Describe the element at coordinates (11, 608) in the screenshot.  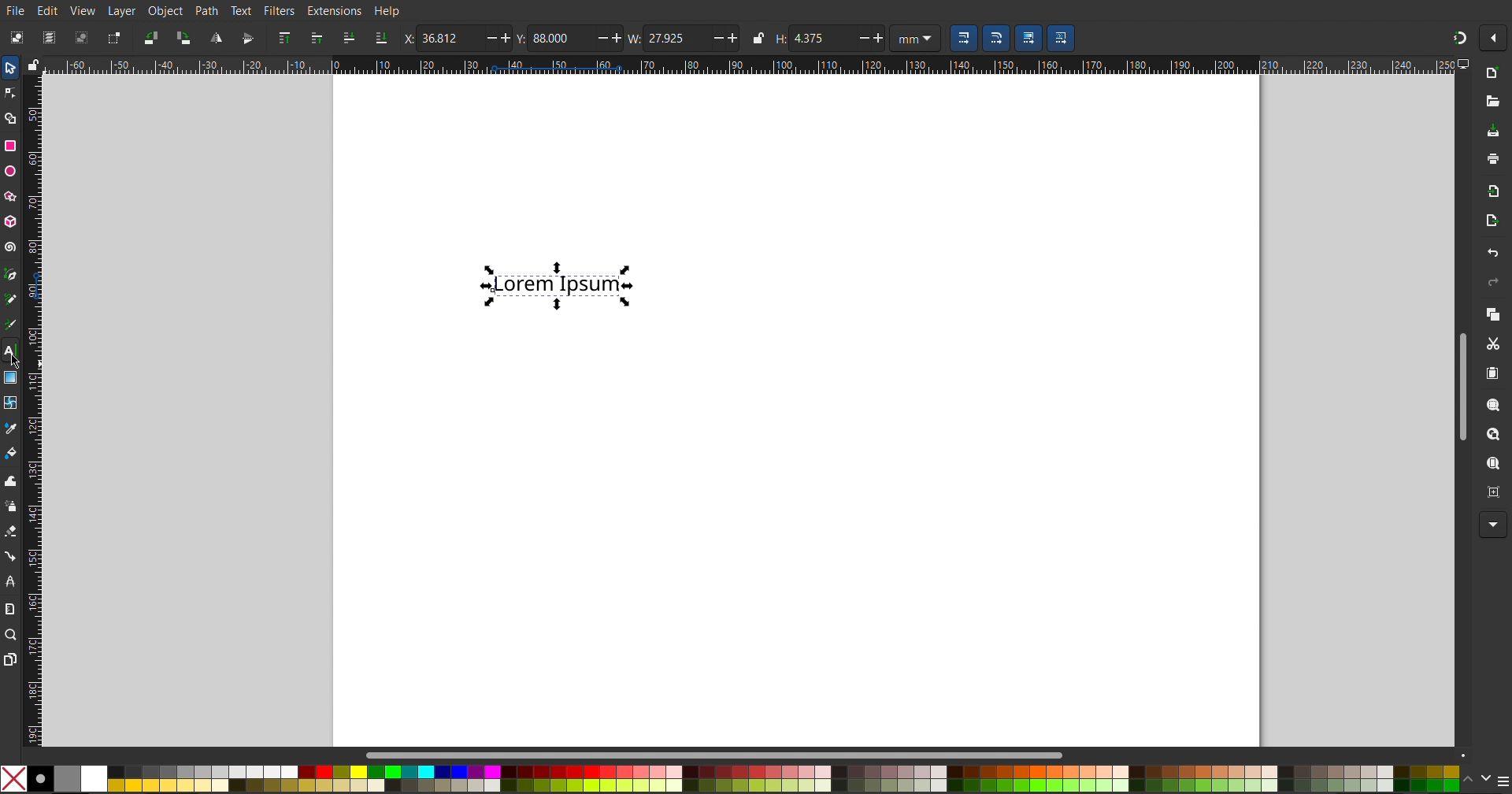
I see `Measure Tool` at that location.